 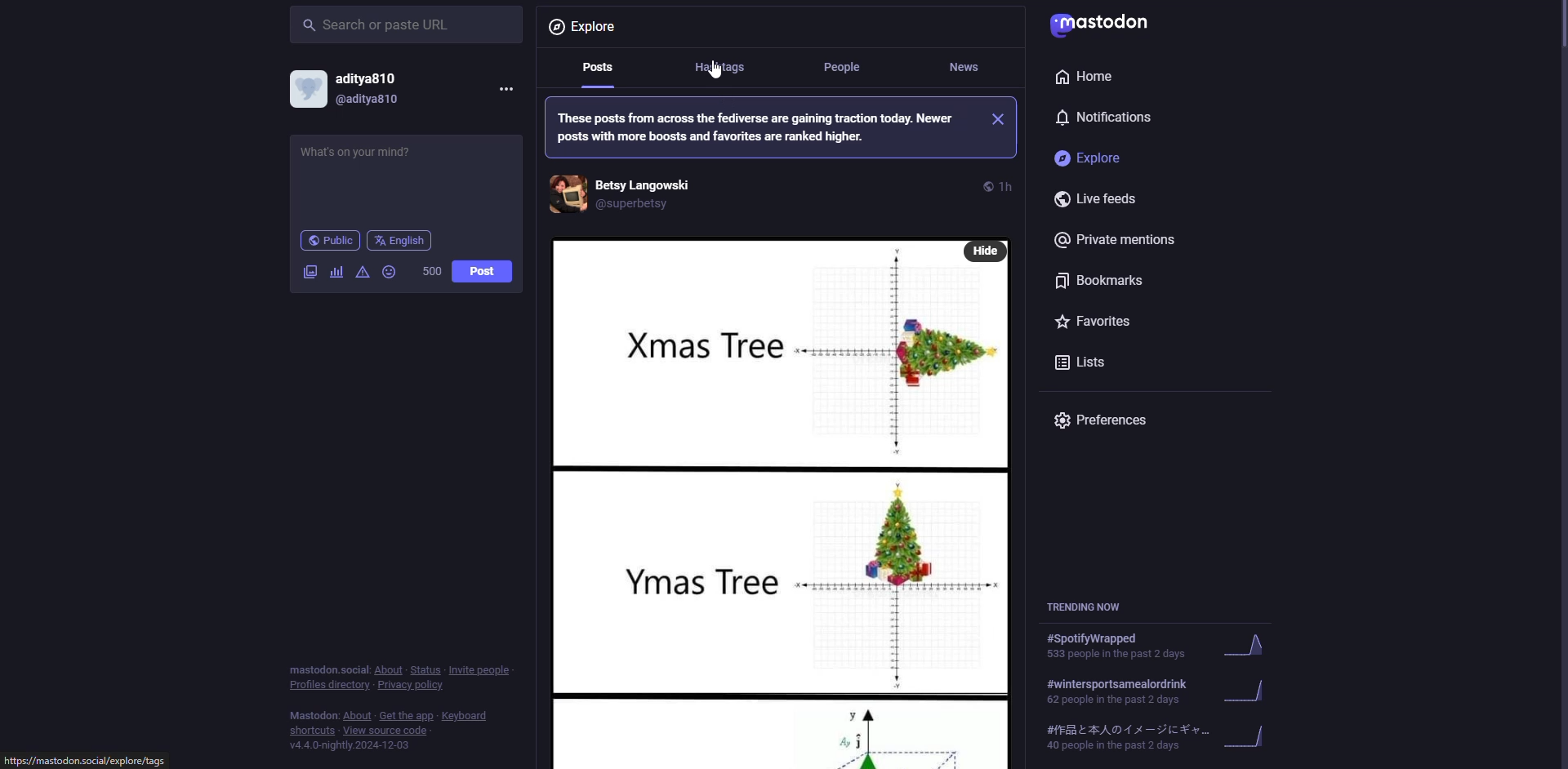 I want to click on trending , so click(x=1090, y=607).